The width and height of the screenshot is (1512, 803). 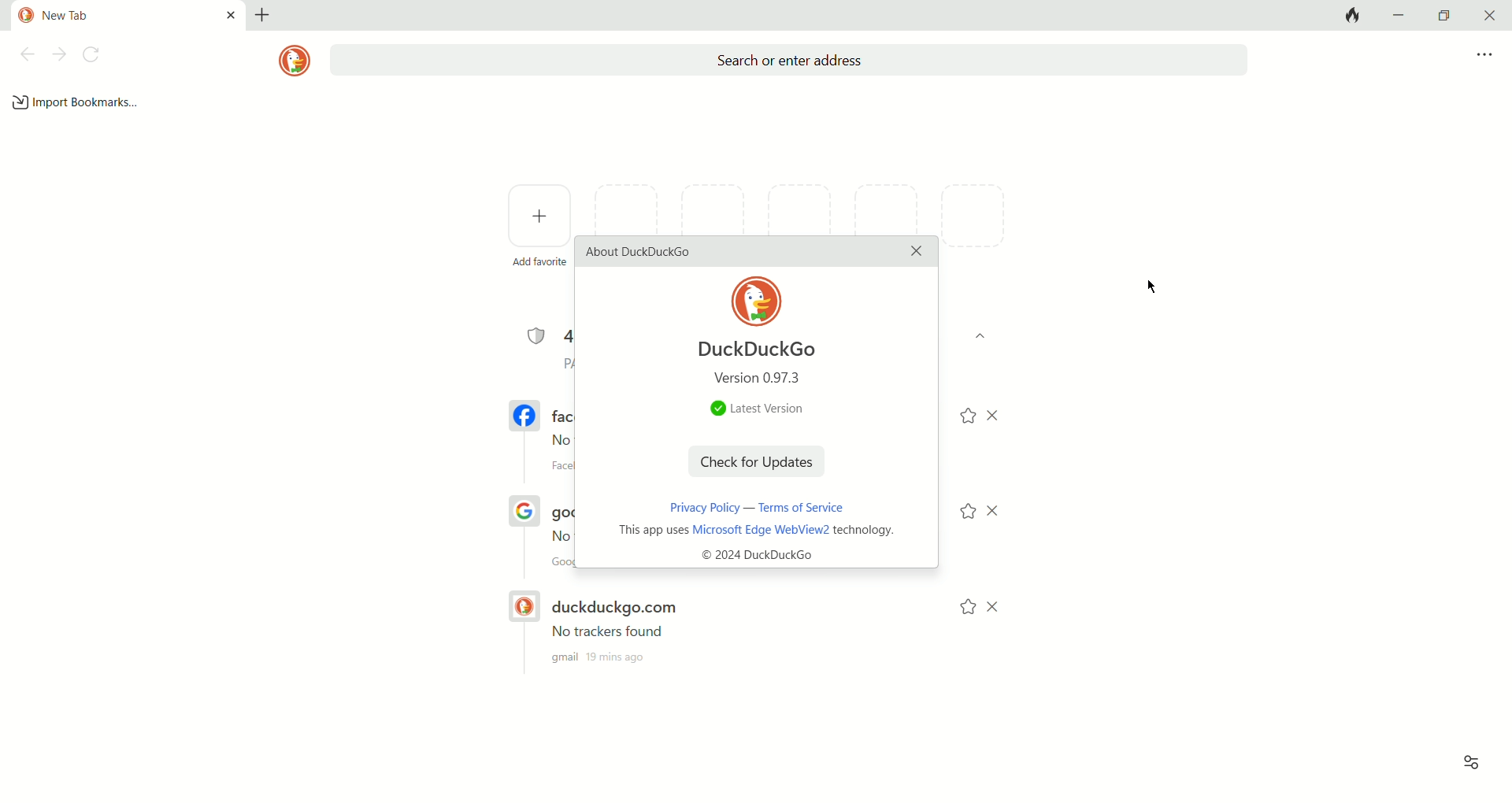 I want to click on search, so click(x=783, y=59).